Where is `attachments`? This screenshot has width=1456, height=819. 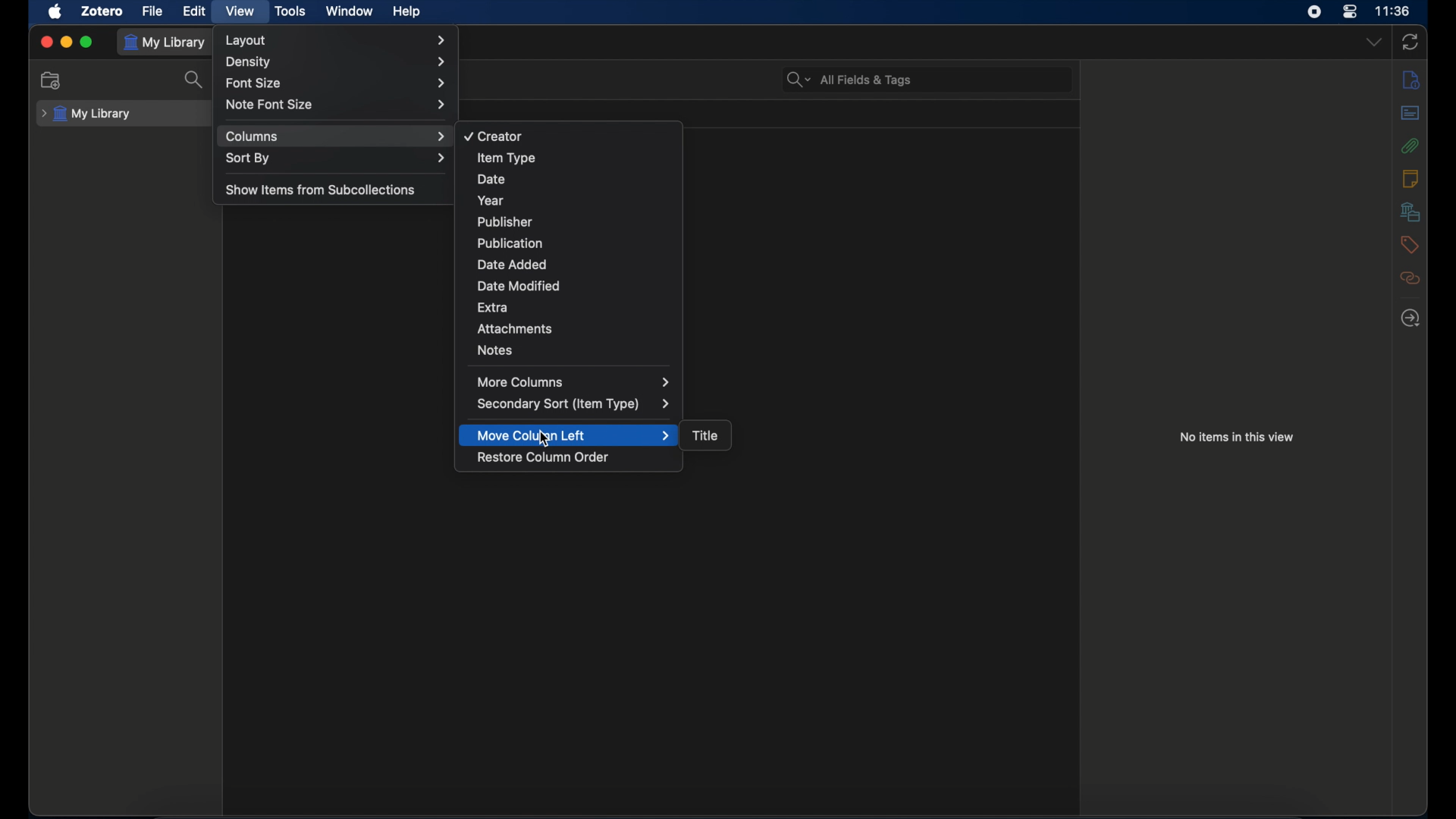 attachments is located at coordinates (515, 328).